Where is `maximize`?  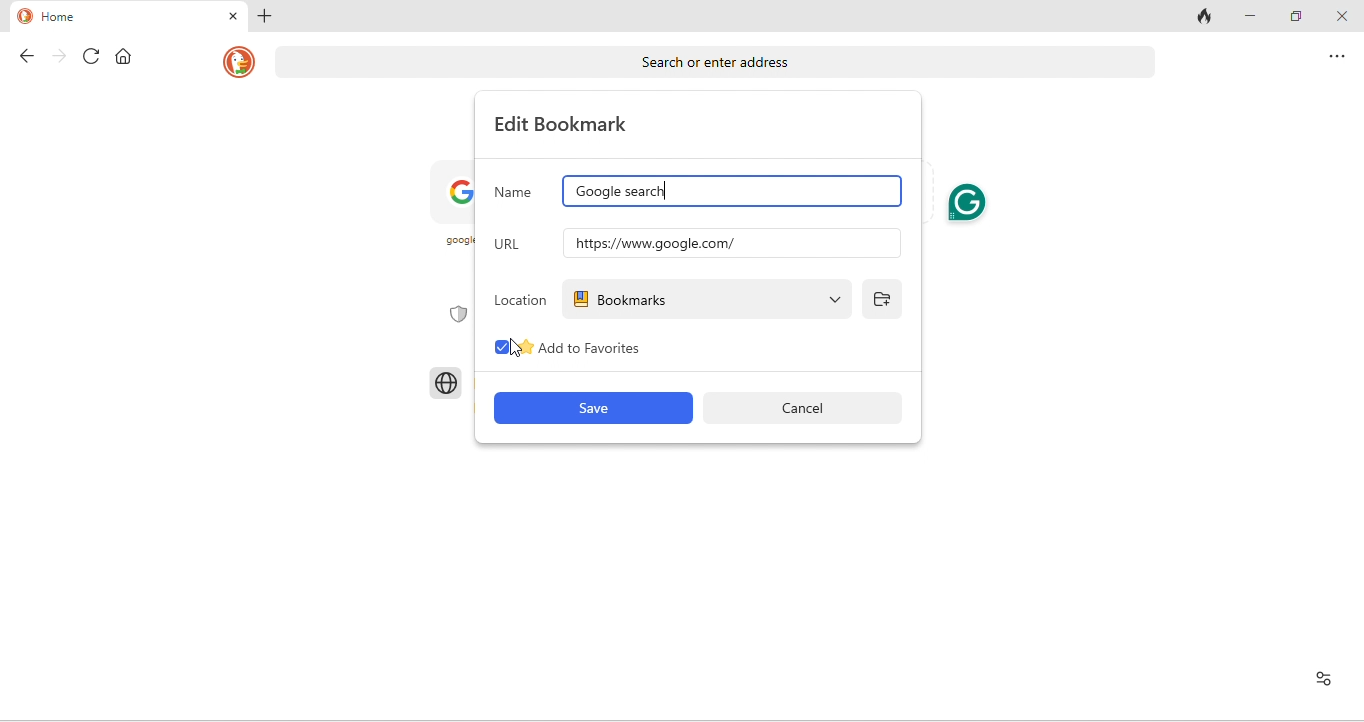 maximize is located at coordinates (1293, 16).